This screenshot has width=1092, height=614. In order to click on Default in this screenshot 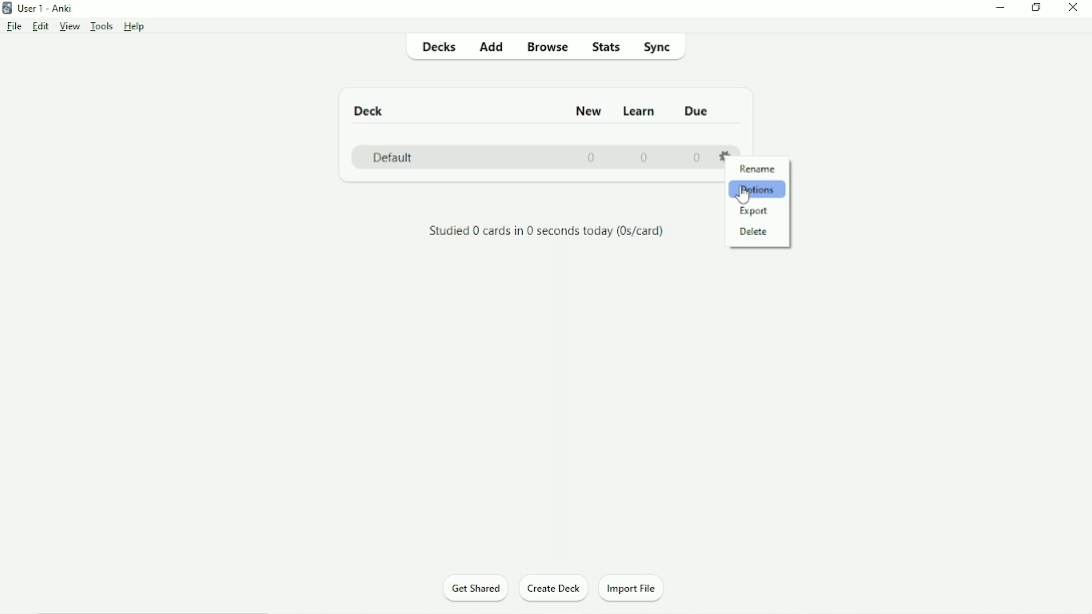, I will do `click(393, 158)`.